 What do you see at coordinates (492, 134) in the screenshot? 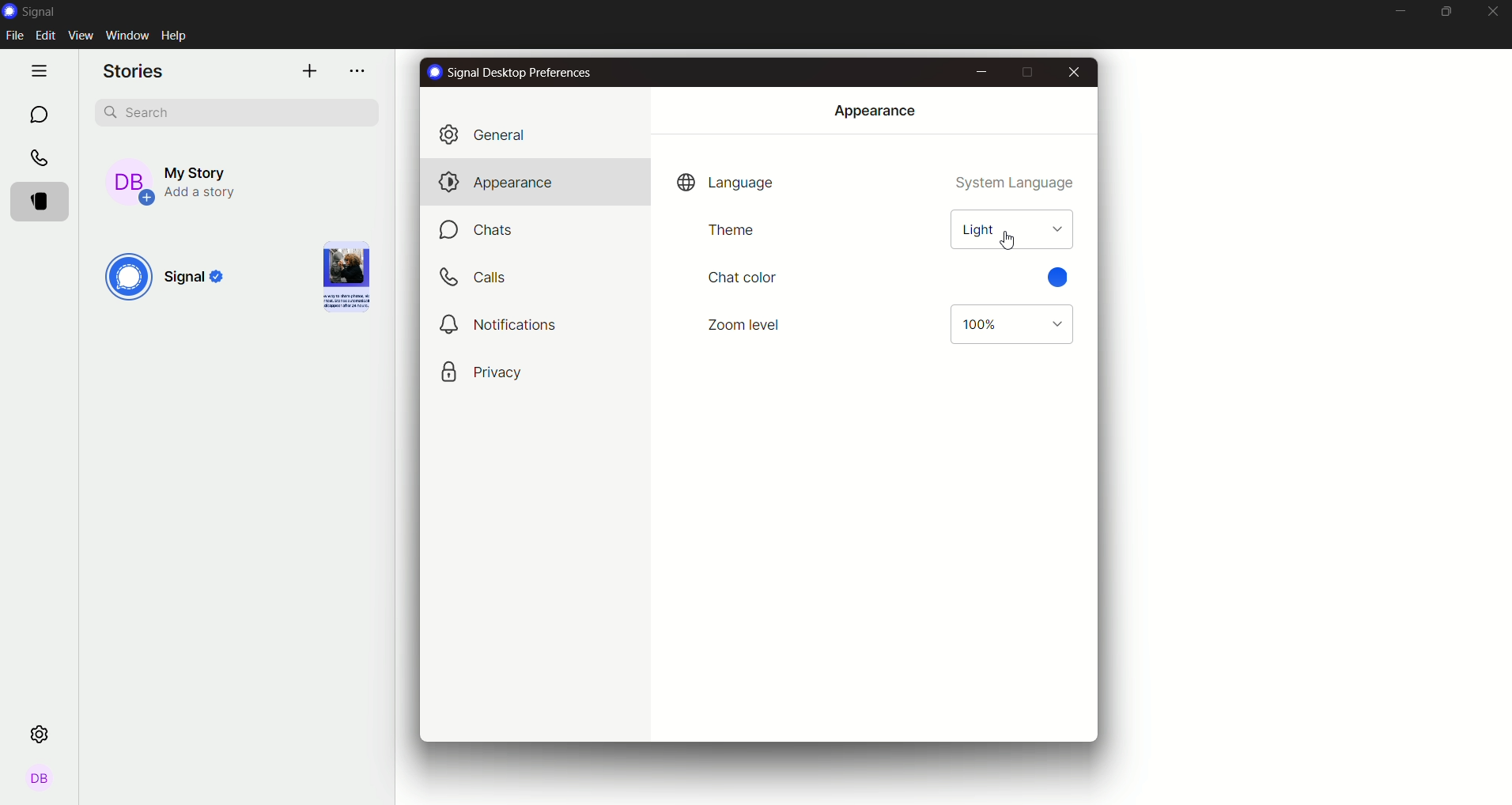
I see `general` at bounding box center [492, 134].